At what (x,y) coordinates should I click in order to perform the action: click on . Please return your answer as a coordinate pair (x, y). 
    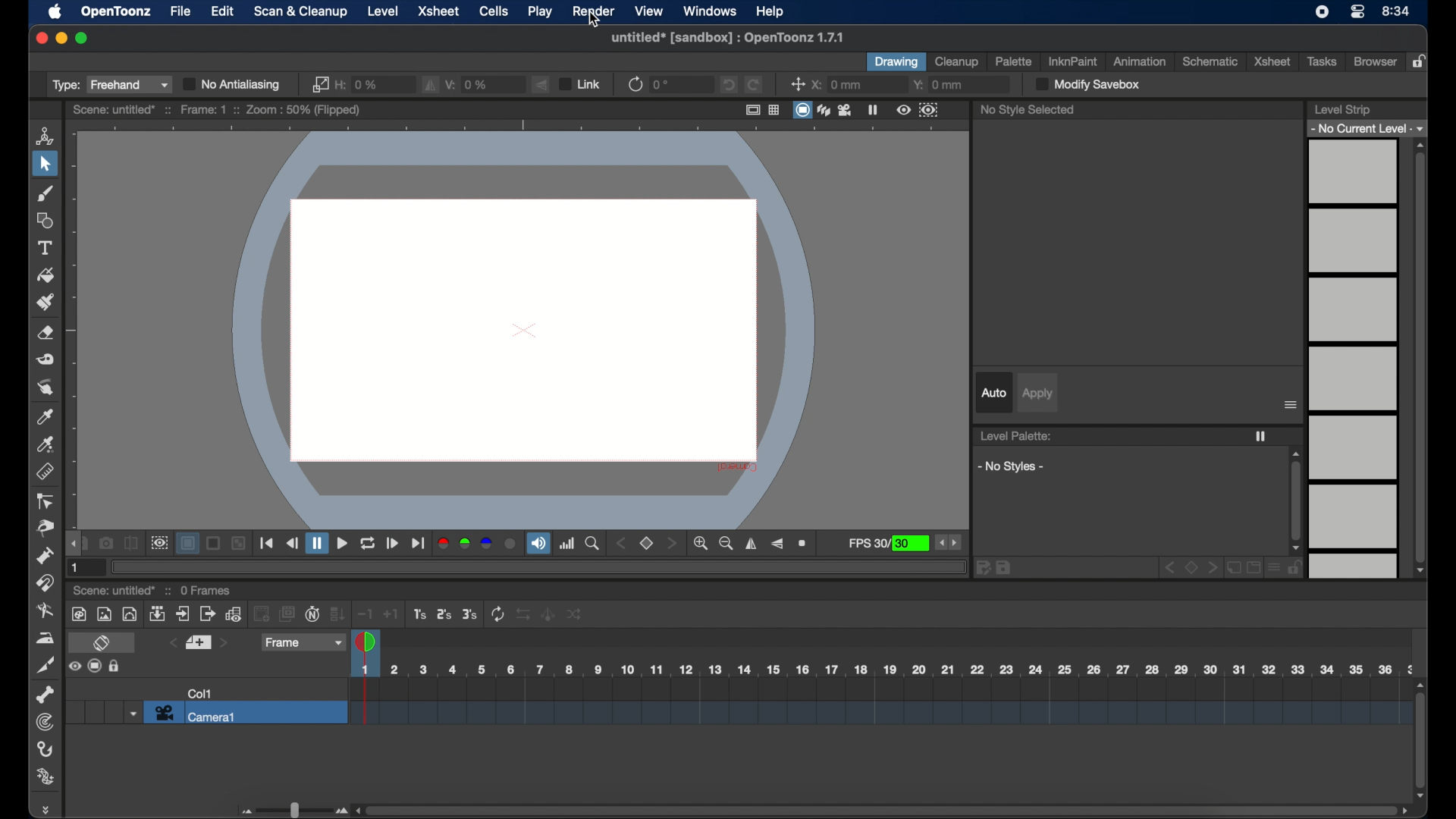
    Looking at the image, I should click on (208, 591).